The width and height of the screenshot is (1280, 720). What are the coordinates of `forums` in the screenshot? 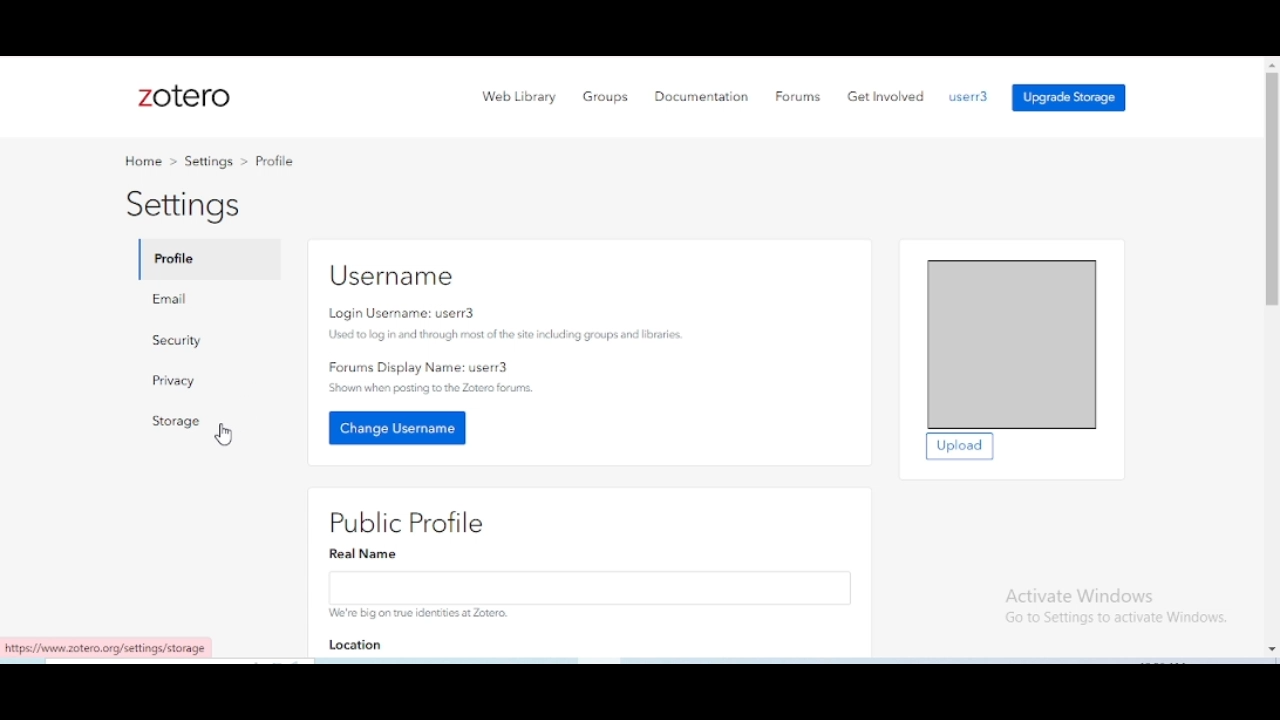 It's located at (797, 96).